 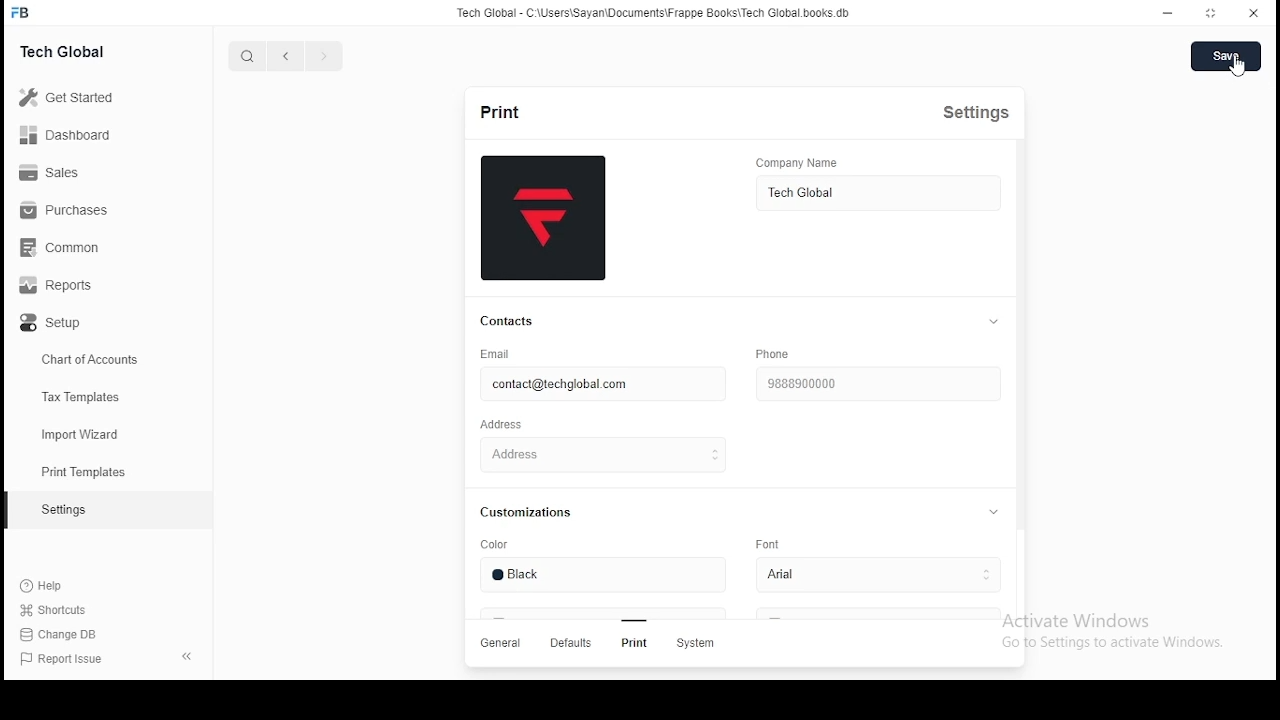 I want to click on Print, so click(x=496, y=111).